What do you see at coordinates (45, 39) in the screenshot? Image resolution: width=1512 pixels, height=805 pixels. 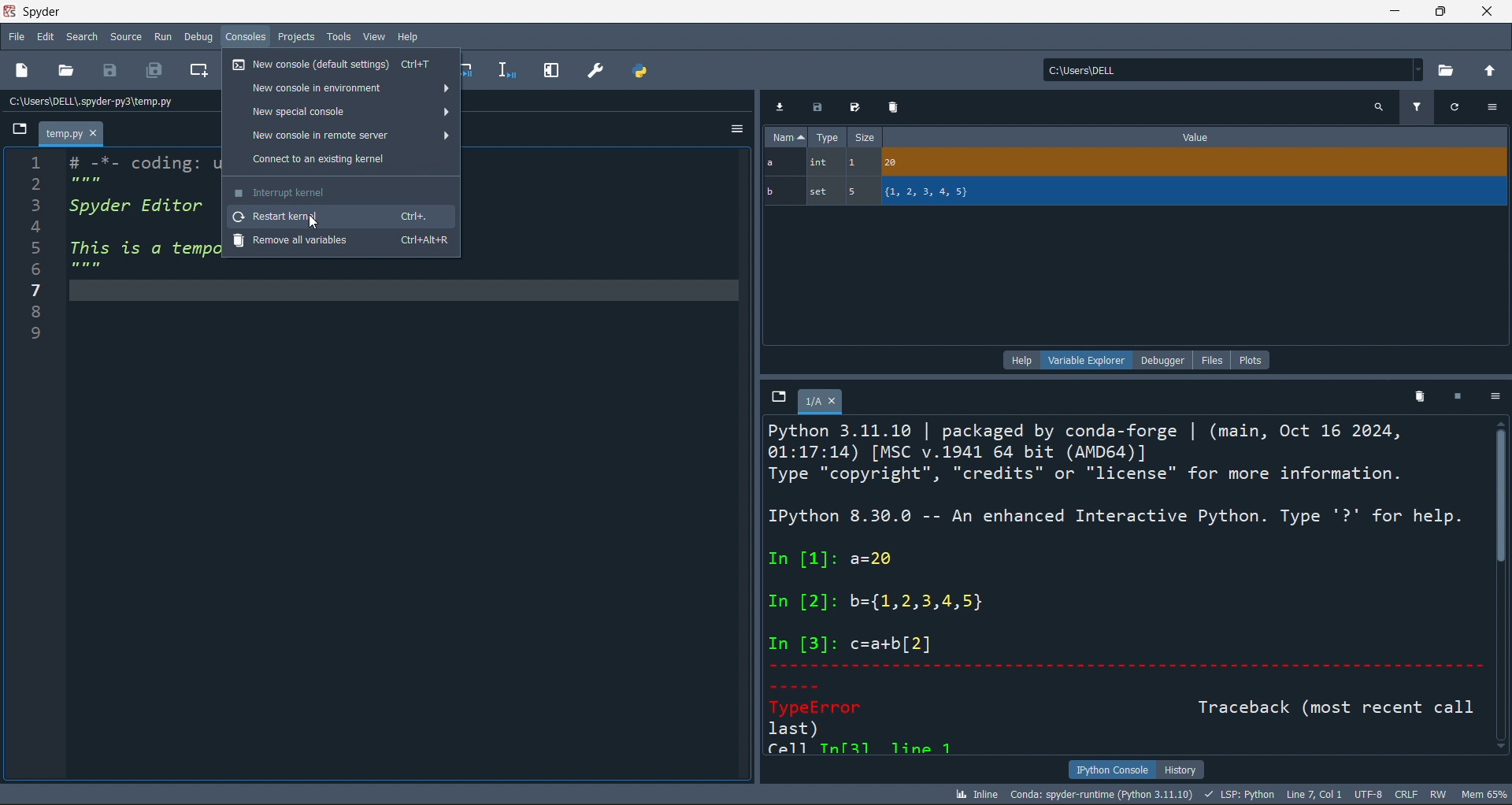 I see `edit` at bounding box center [45, 39].